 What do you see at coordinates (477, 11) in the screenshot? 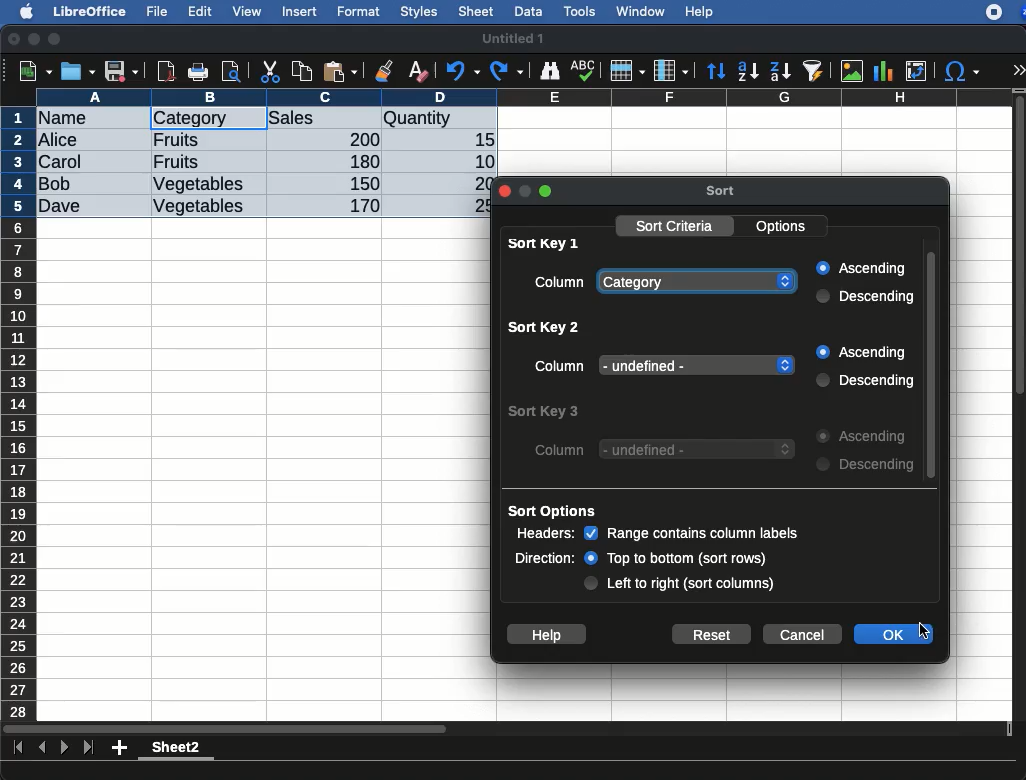
I see `sheet` at bounding box center [477, 11].